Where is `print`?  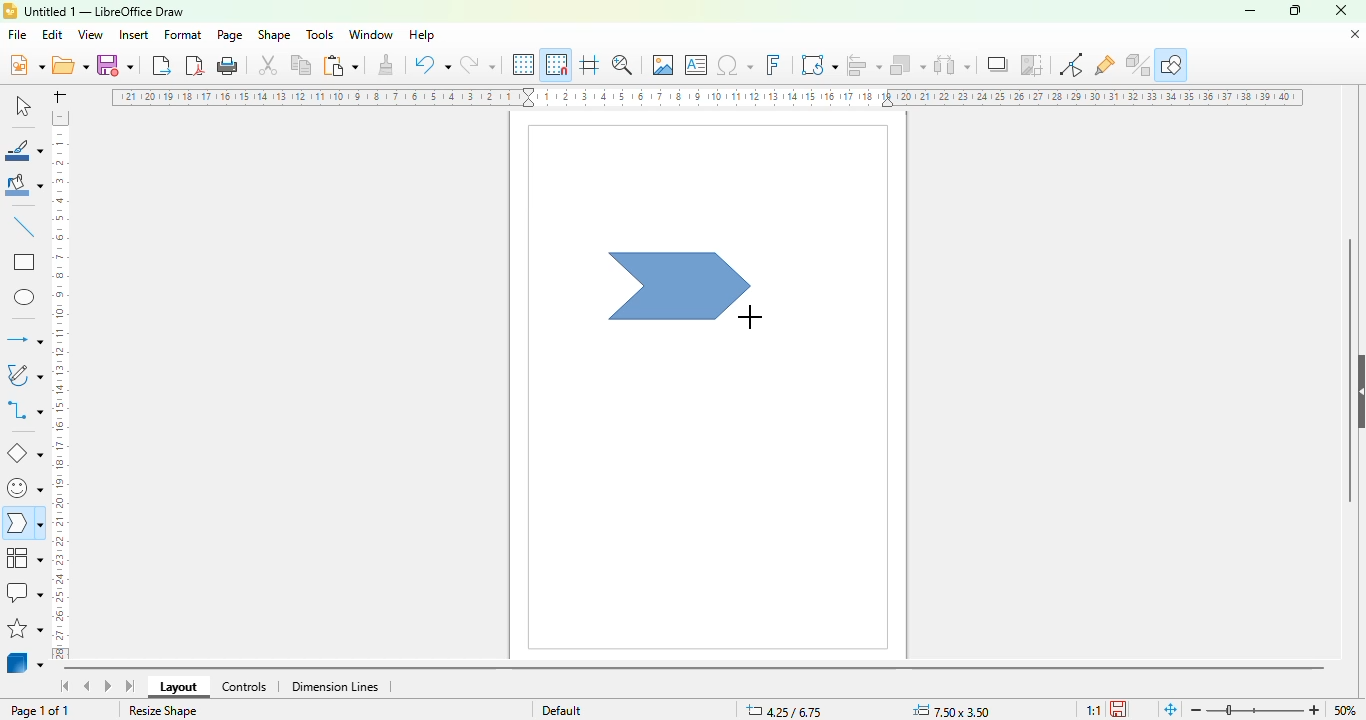
print is located at coordinates (228, 66).